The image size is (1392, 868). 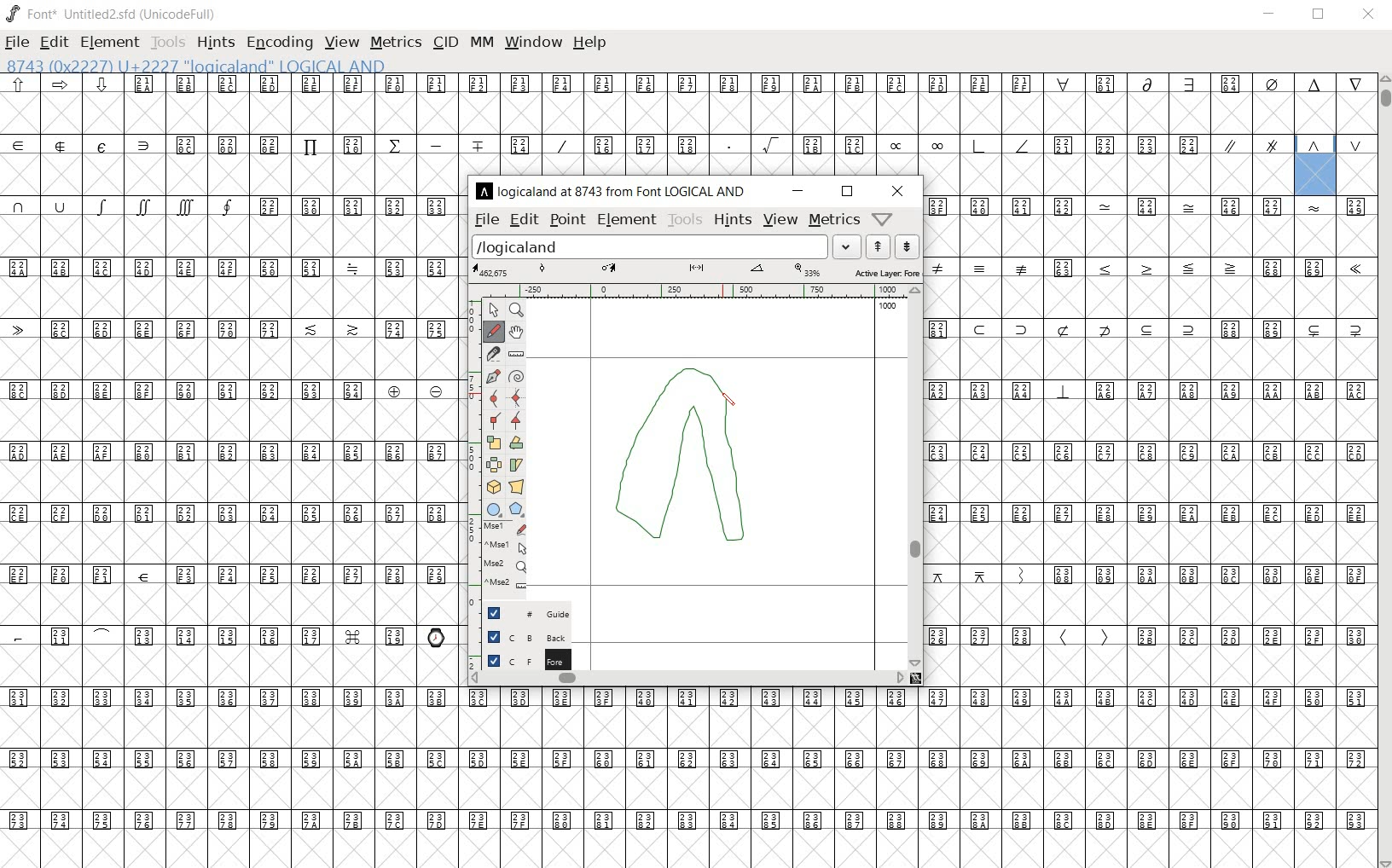 What do you see at coordinates (518, 377) in the screenshot?
I see `change whether spiro is active or not` at bounding box center [518, 377].